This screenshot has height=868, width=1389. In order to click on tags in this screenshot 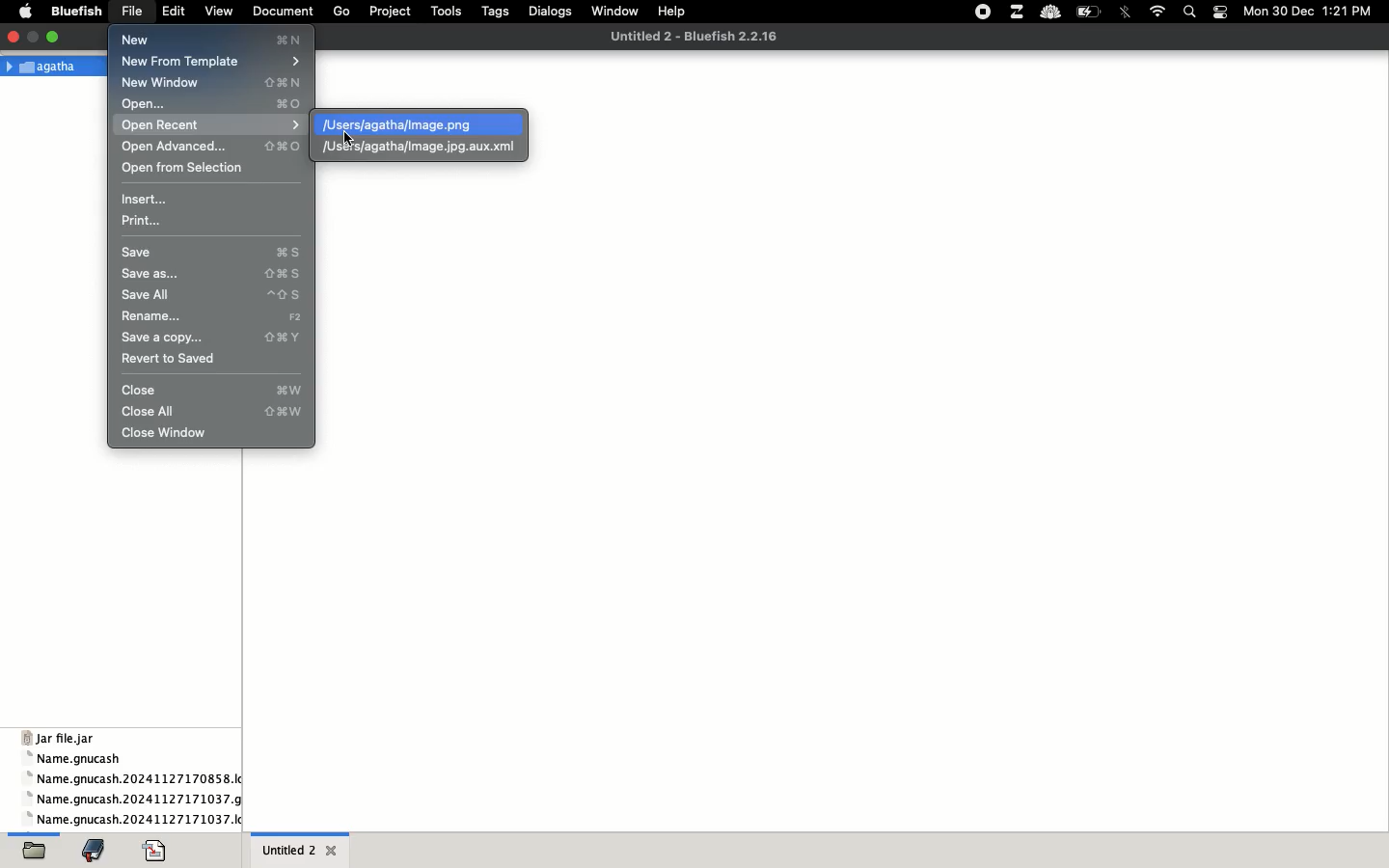, I will do `click(499, 13)`.